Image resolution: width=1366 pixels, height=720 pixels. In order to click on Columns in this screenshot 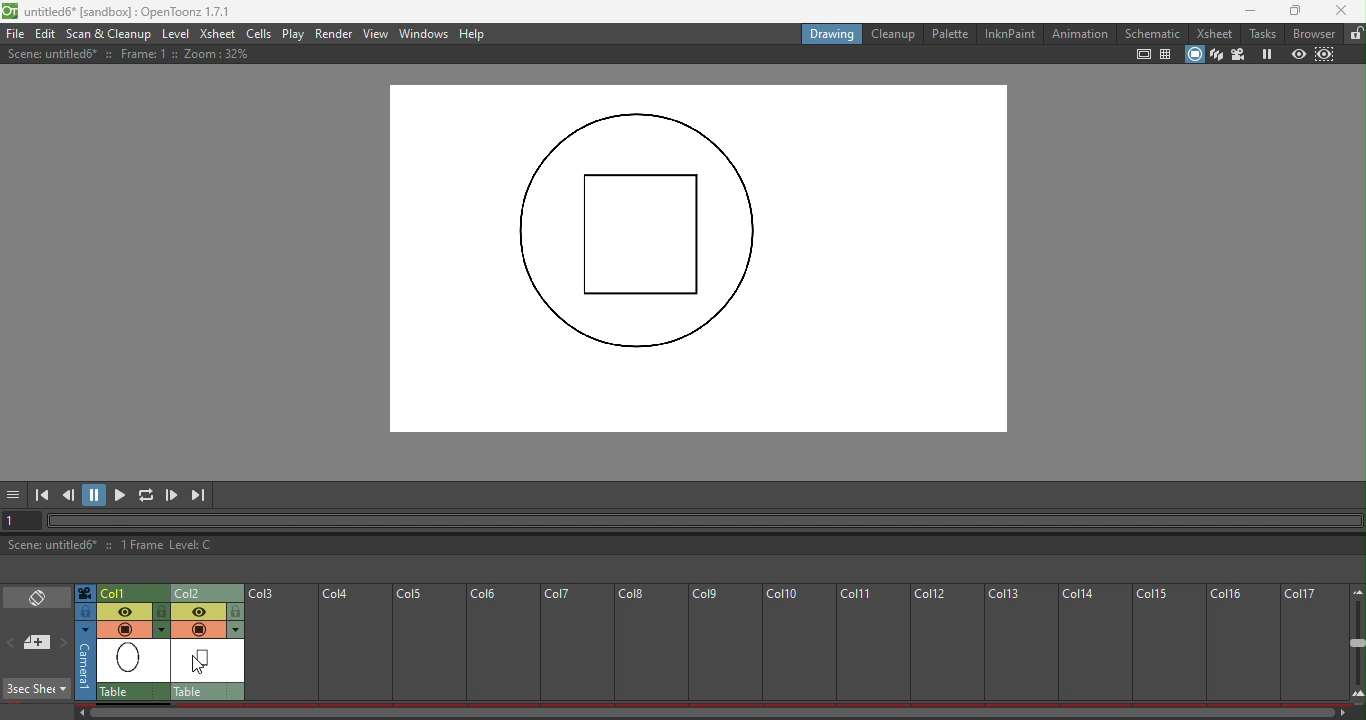, I will do `click(786, 639)`.